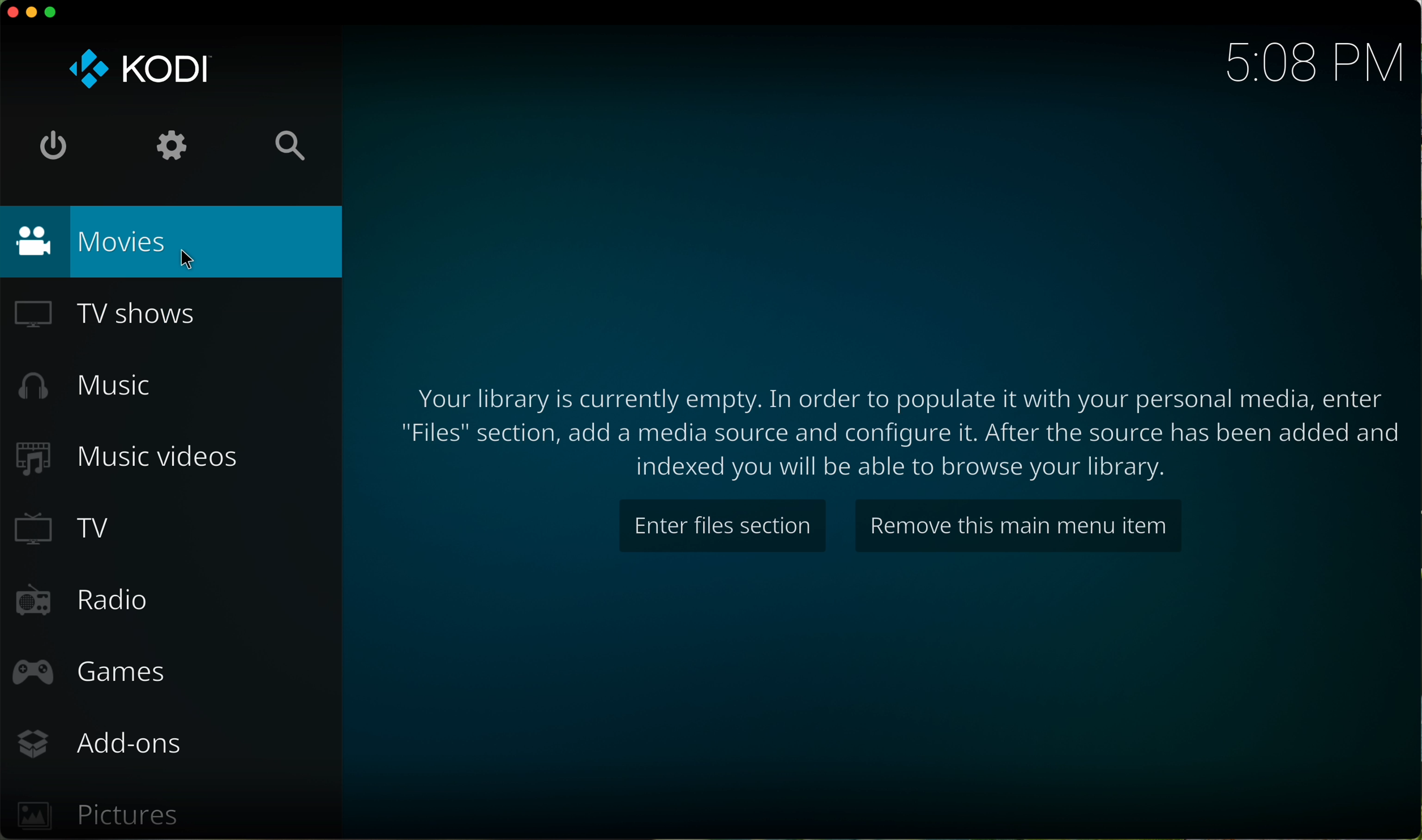 Image resolution: width=1422 pixels, height=840 pixels. I want to click on add-ons, so click(103, 745).